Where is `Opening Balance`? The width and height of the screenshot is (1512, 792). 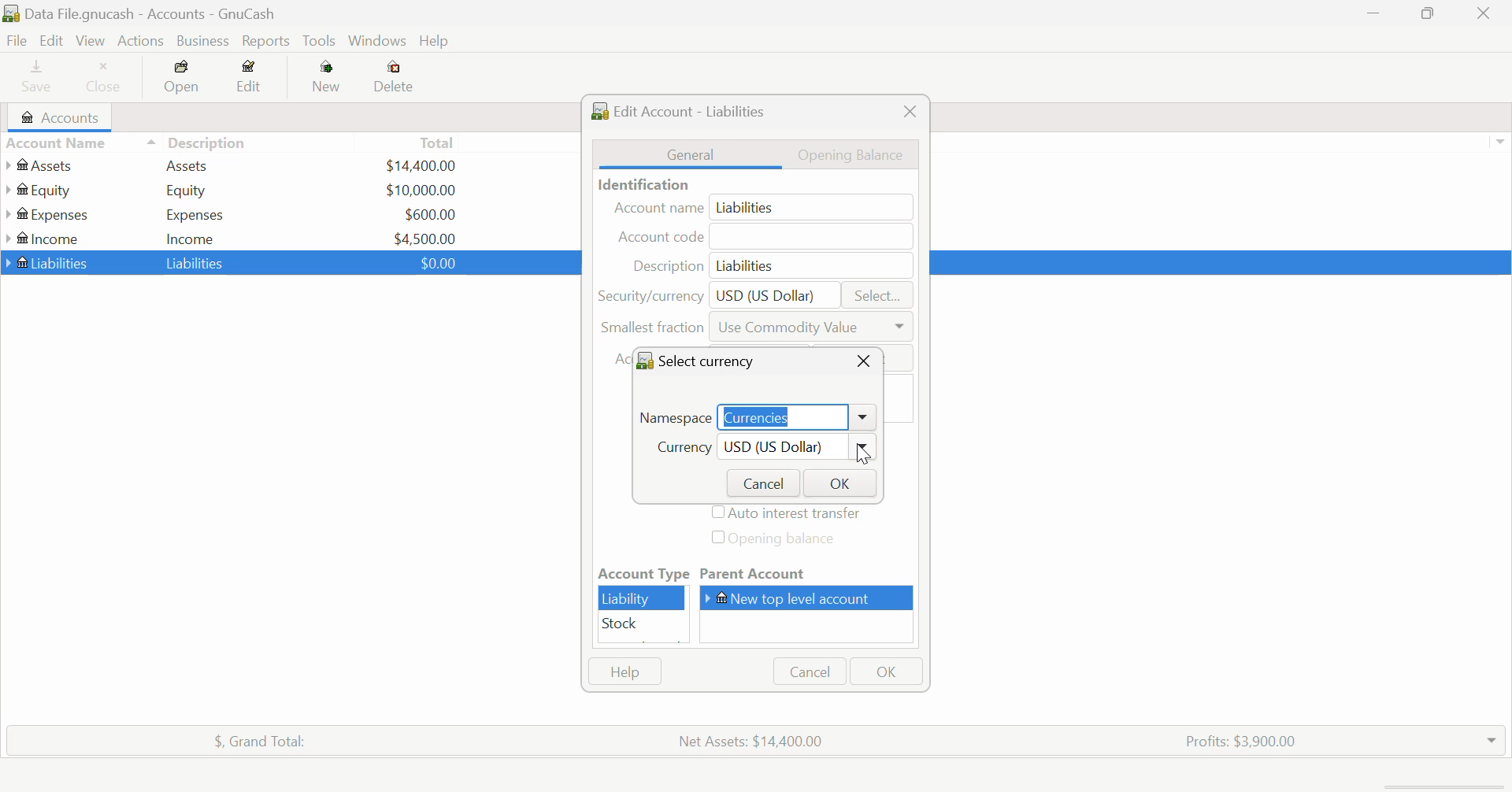
Opening Balance is located at coordinates (860, 154).